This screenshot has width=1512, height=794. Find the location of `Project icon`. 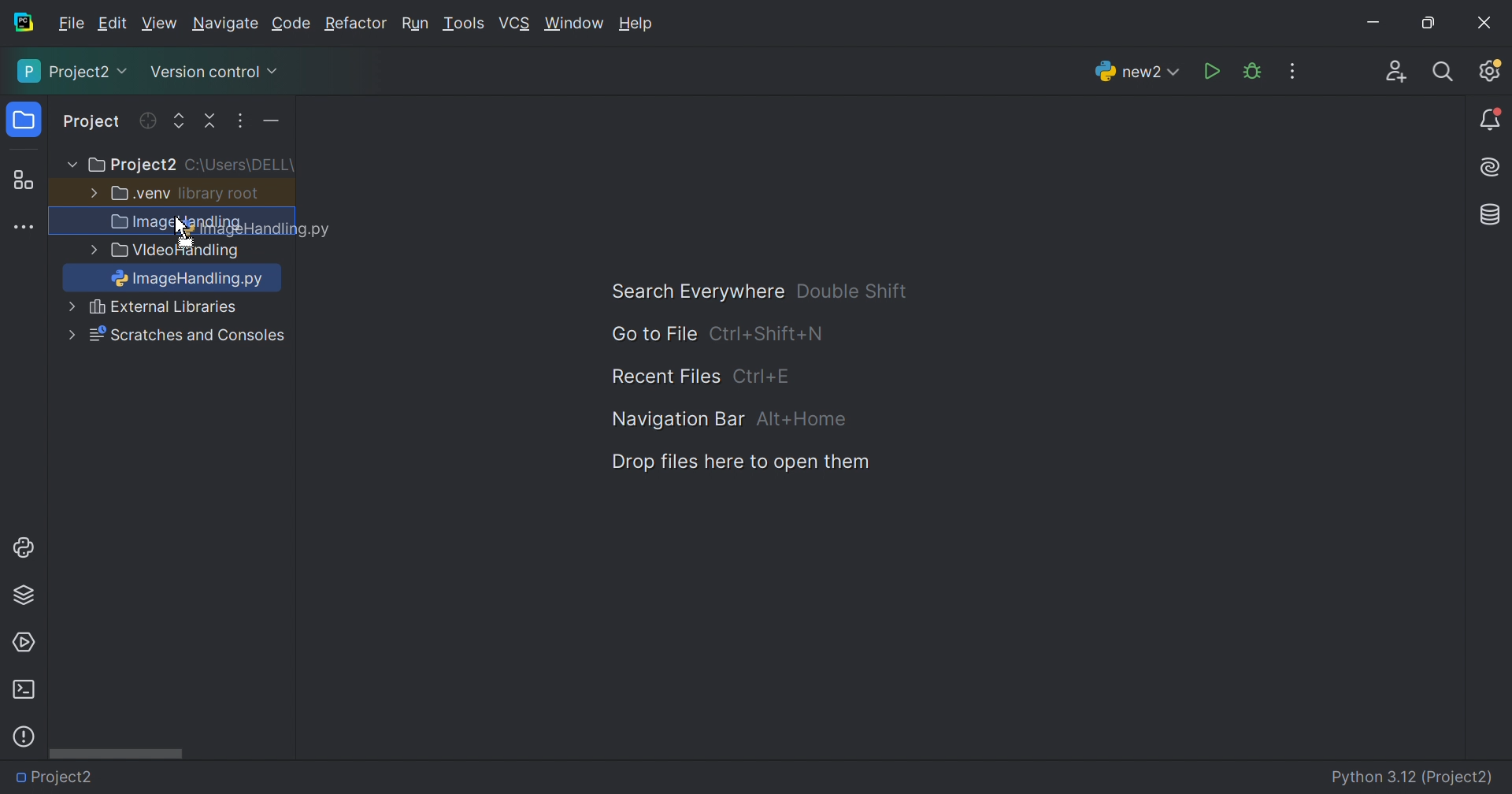

Project icon is located at coordinates (26, 121).